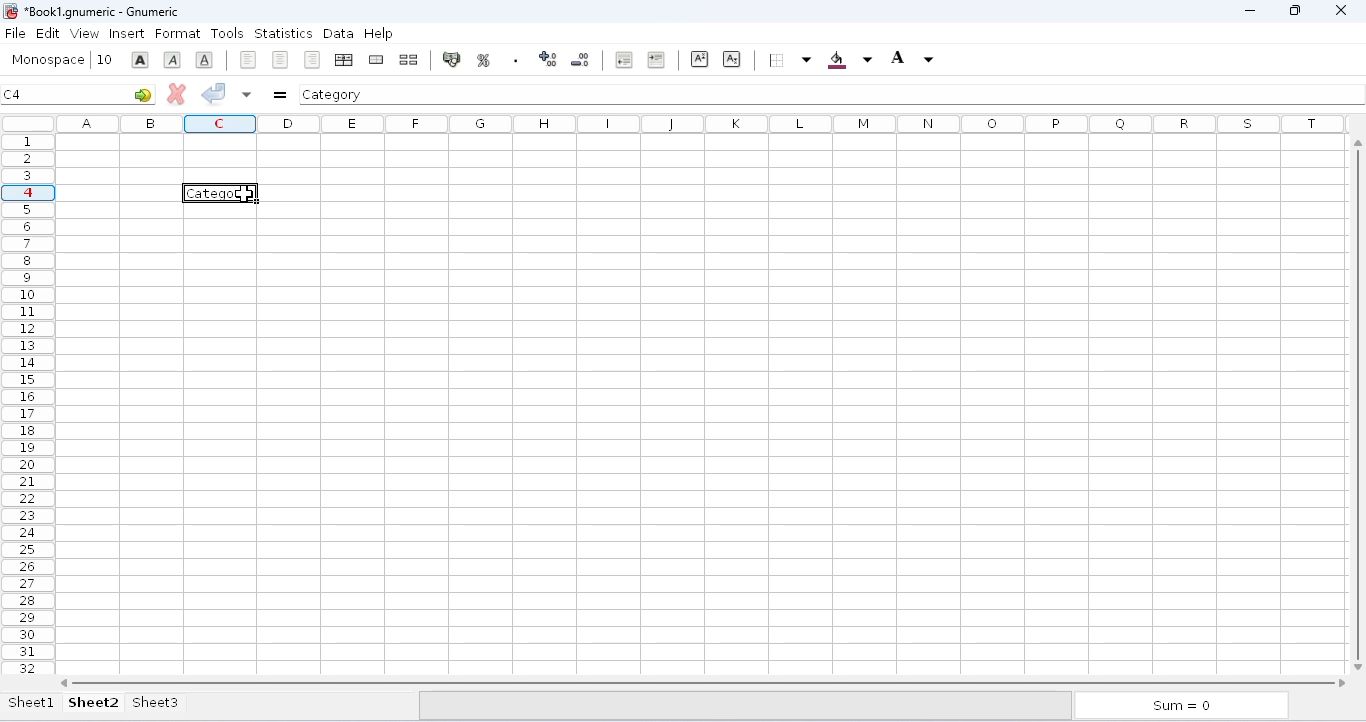 The image size is (1366, 722). I want to click on superscript, so click(700, 59).